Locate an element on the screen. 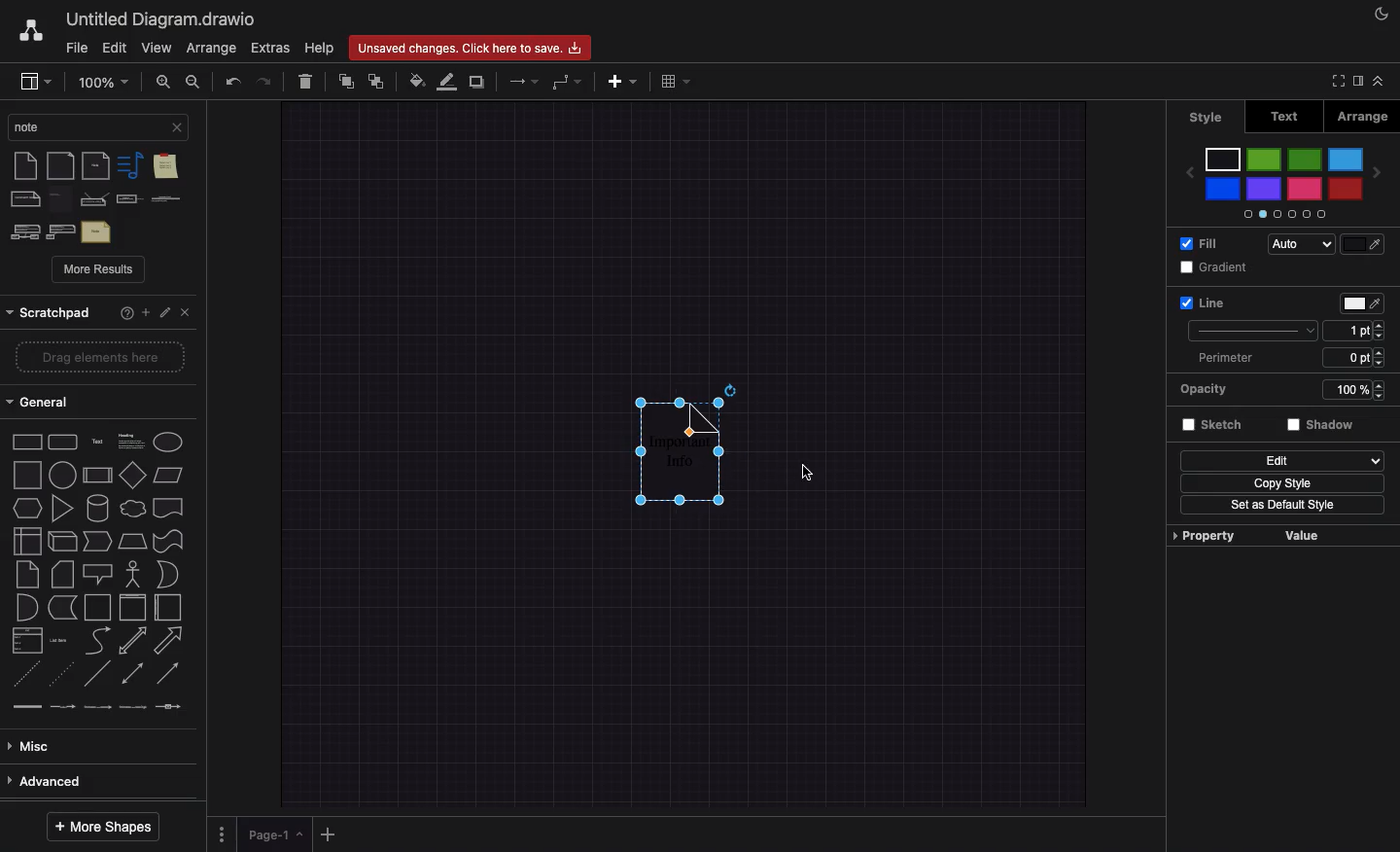 This screenshot has height=852, width=1400. Copy style is located at coordinates (1283, 483).